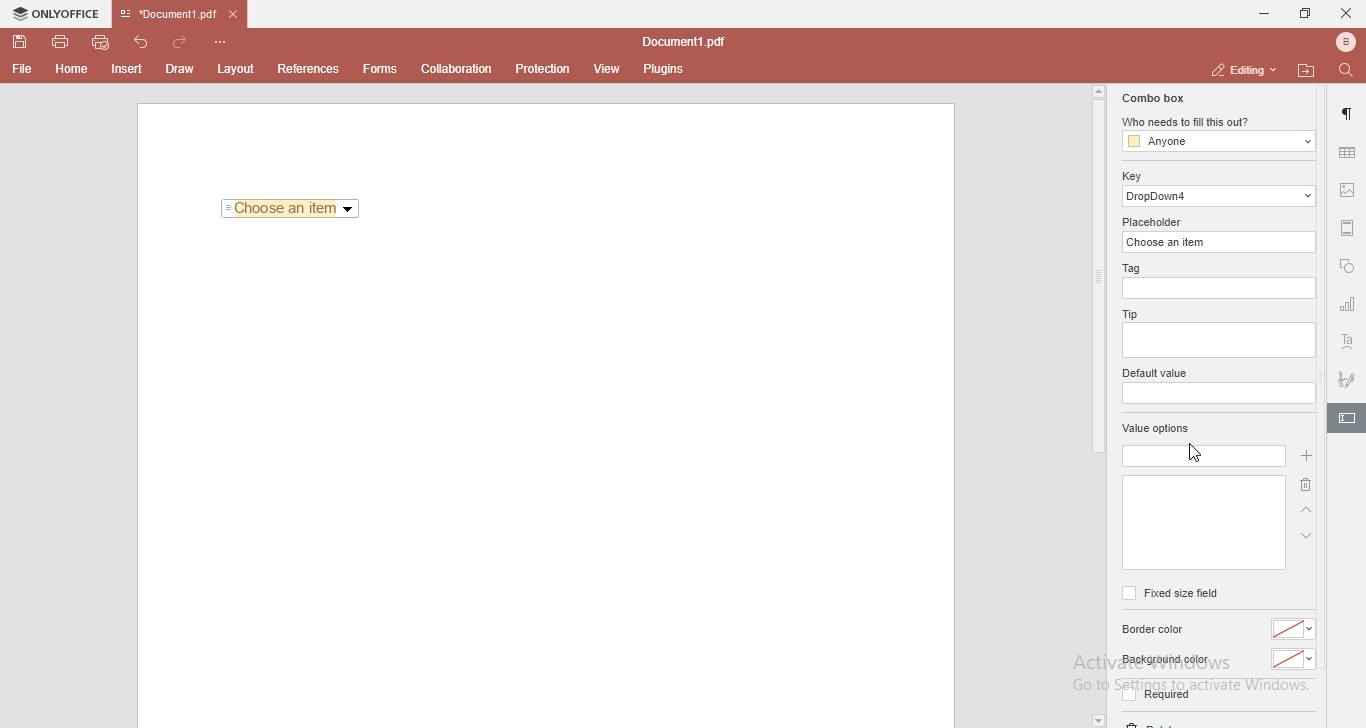 The height and width of the screenshot is (728, 1366). Describe the element at coordinates (1154, 698) in the screenshot. I see `required` at that location.